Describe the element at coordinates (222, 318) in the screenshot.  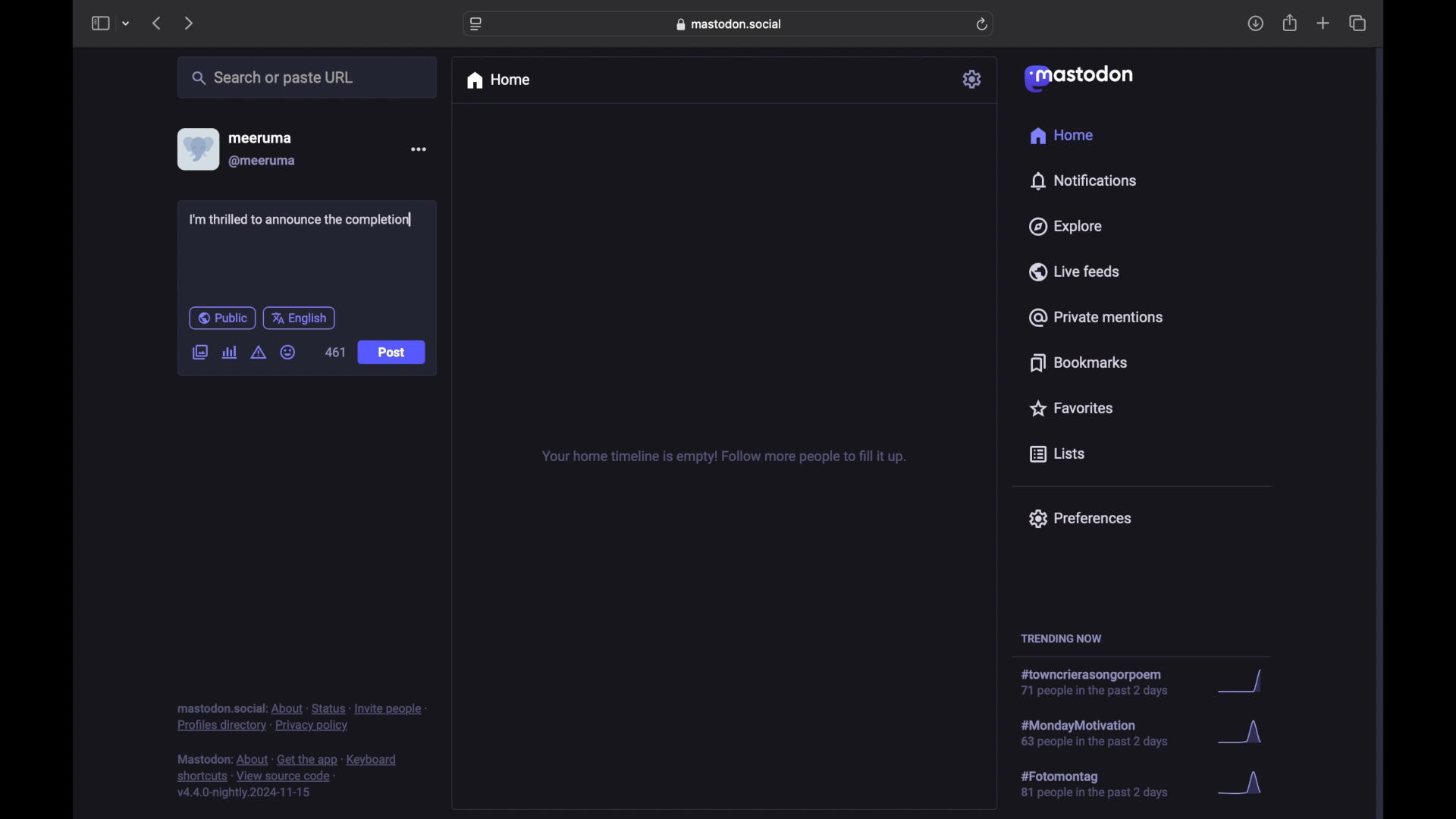
I see `public` at that location.